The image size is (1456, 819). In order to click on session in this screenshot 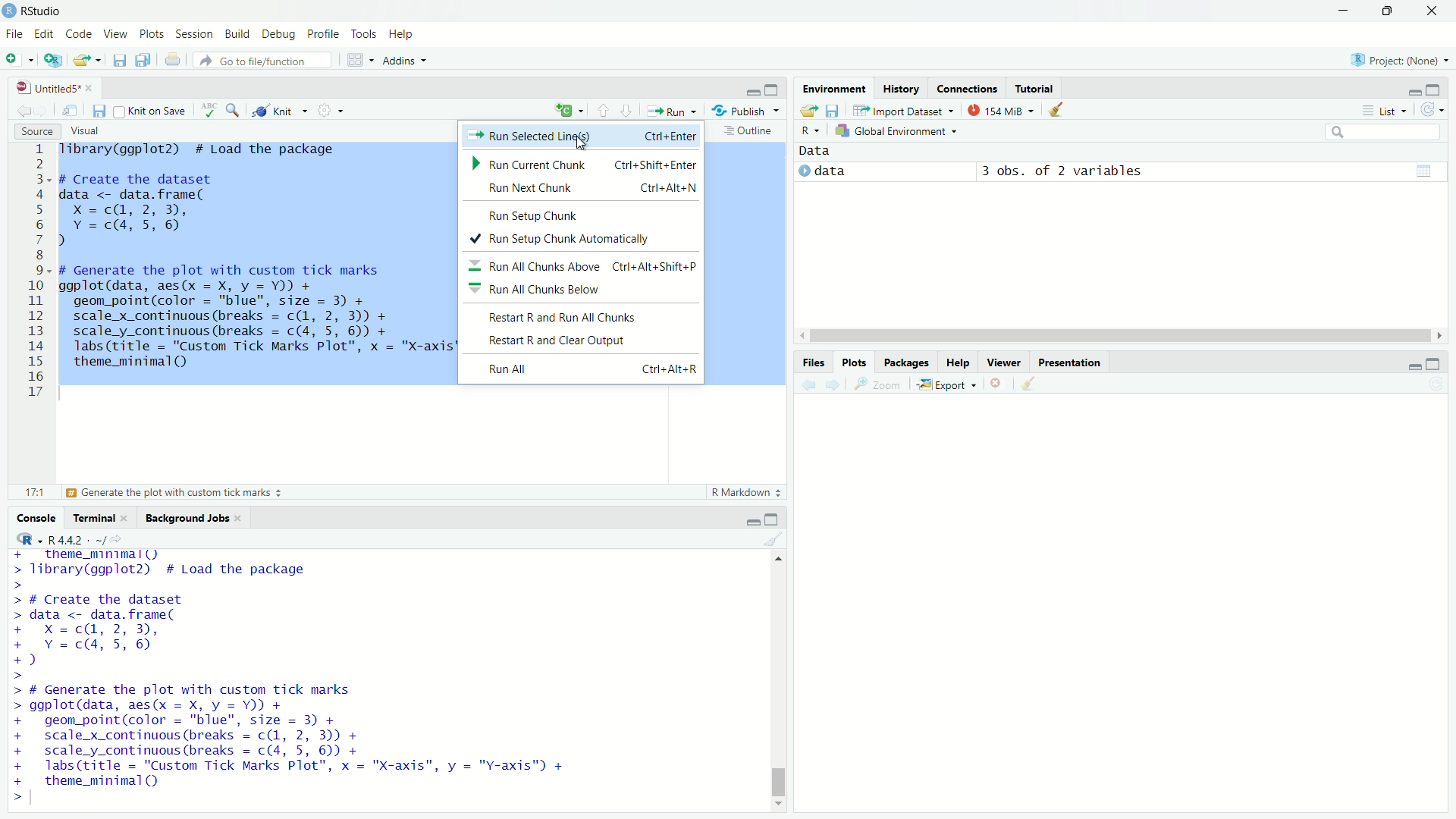, I will do `click(194, 34)`.